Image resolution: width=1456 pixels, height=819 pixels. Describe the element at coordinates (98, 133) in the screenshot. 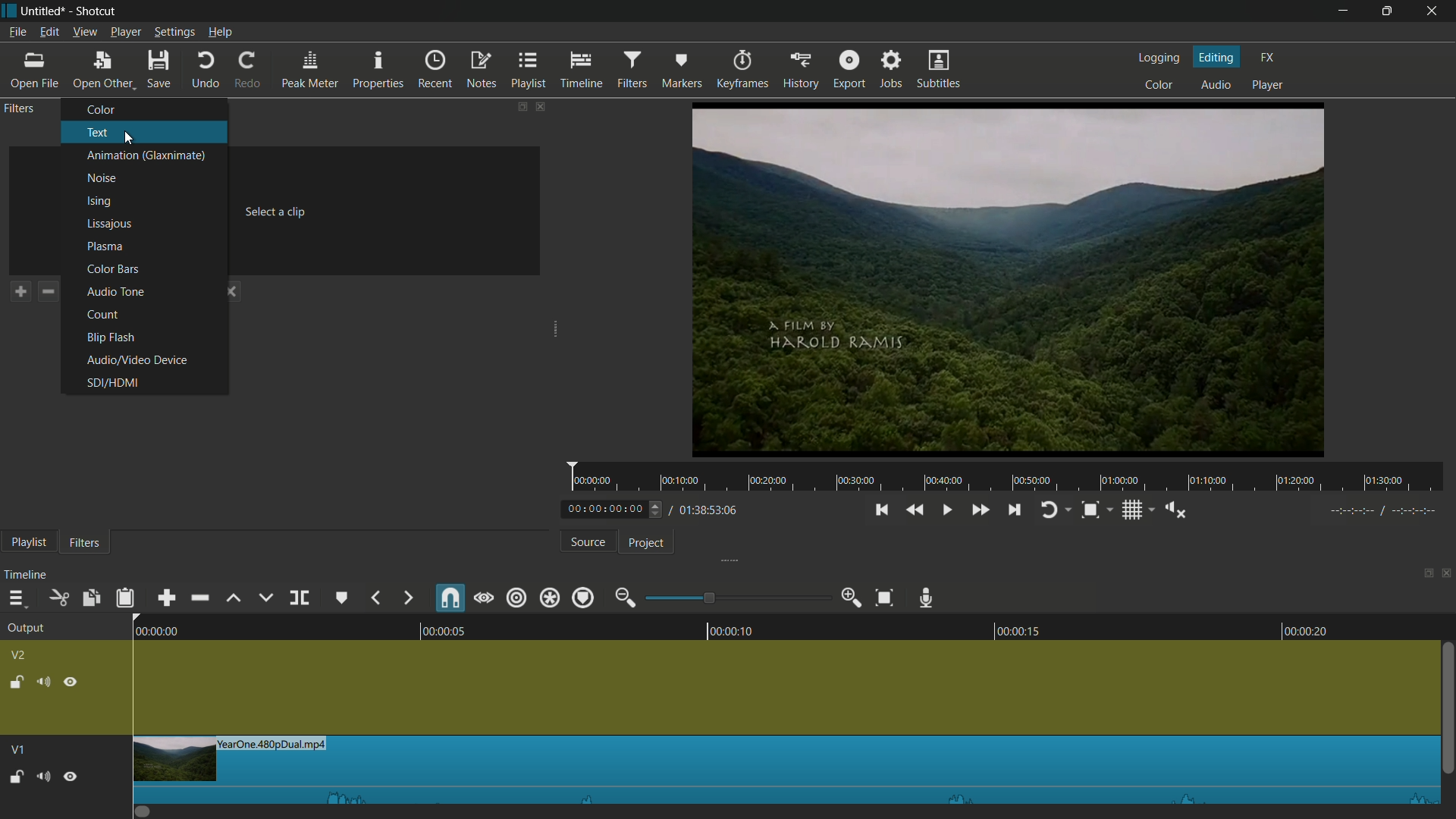

I see `text` at that location.